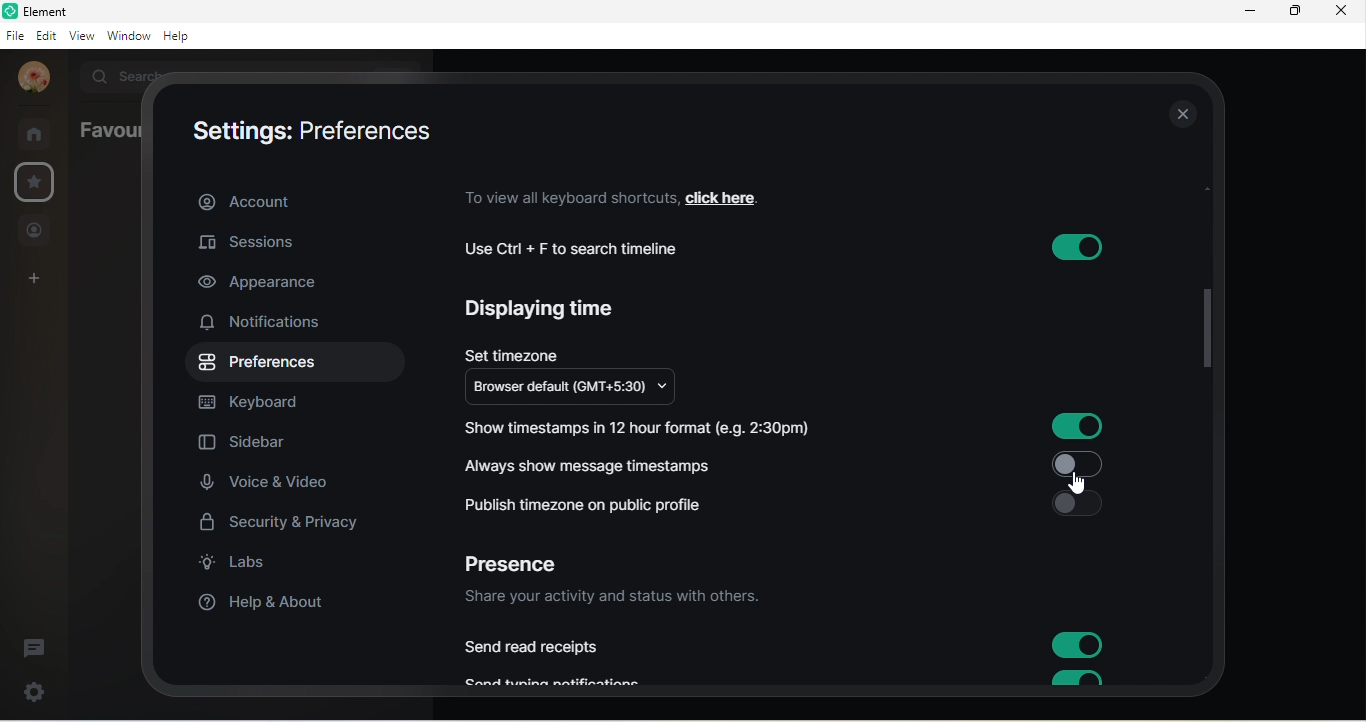 The image size is (1366, 722). What do you see at coordinates (582, 389) in the screenshot?
I see `browser default` at bounding box center [582, 389].